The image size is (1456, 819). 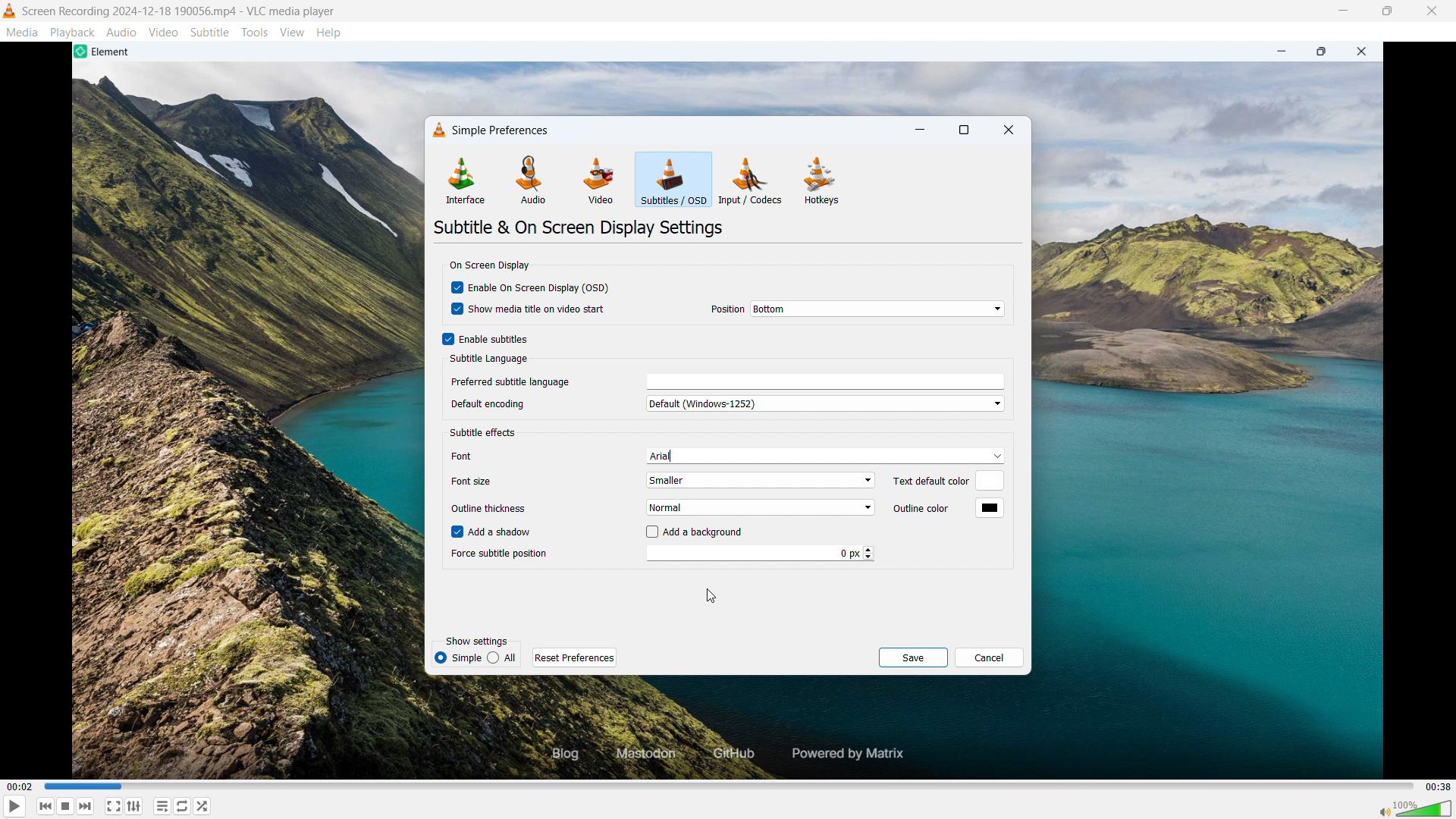 What do you see at coordinates (162, 805) in the screenshot?
I see `toggle playlist` at bounding box center [162, 805].